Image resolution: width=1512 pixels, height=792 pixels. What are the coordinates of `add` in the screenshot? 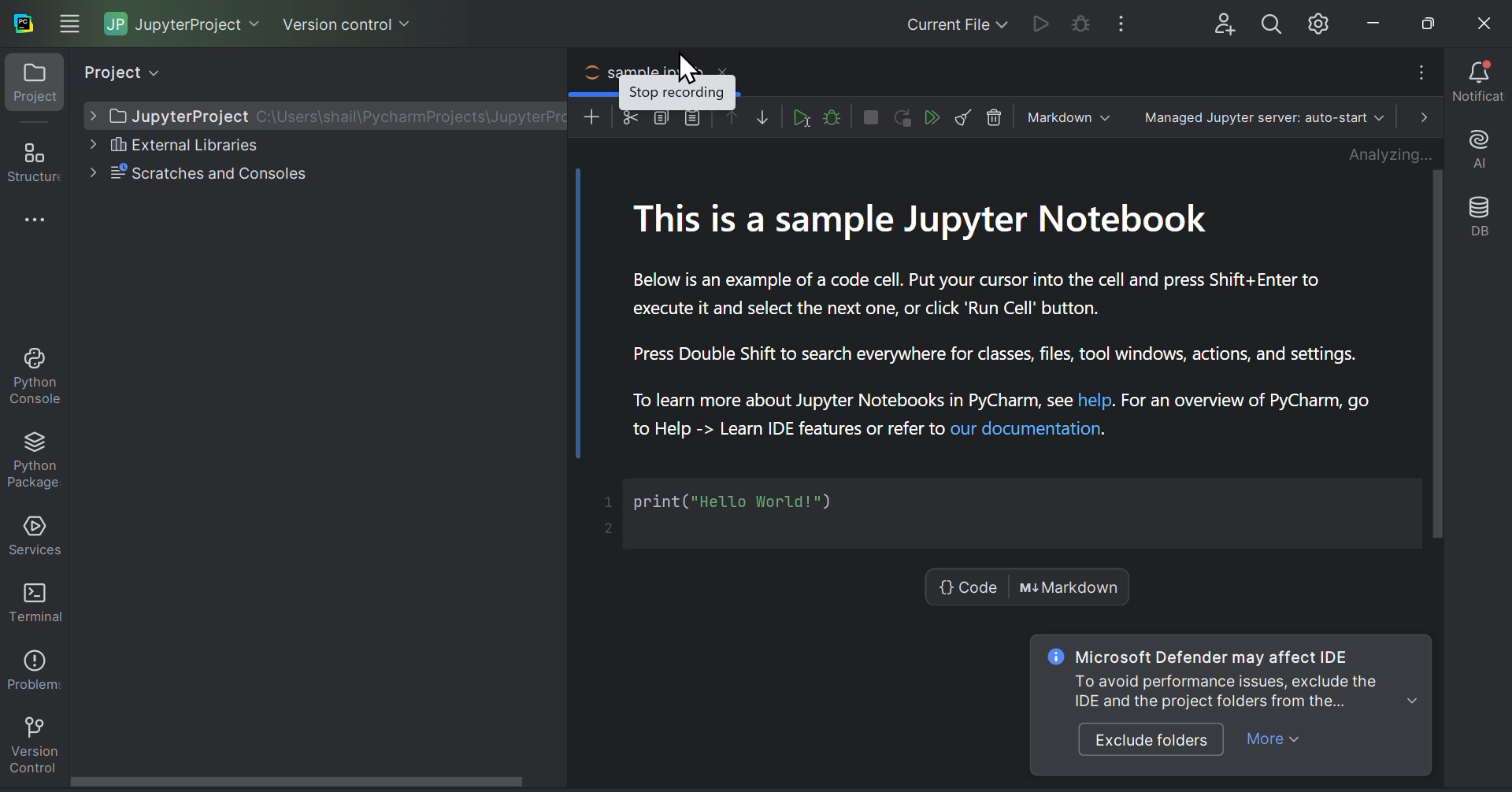 It's located at (594, 118).